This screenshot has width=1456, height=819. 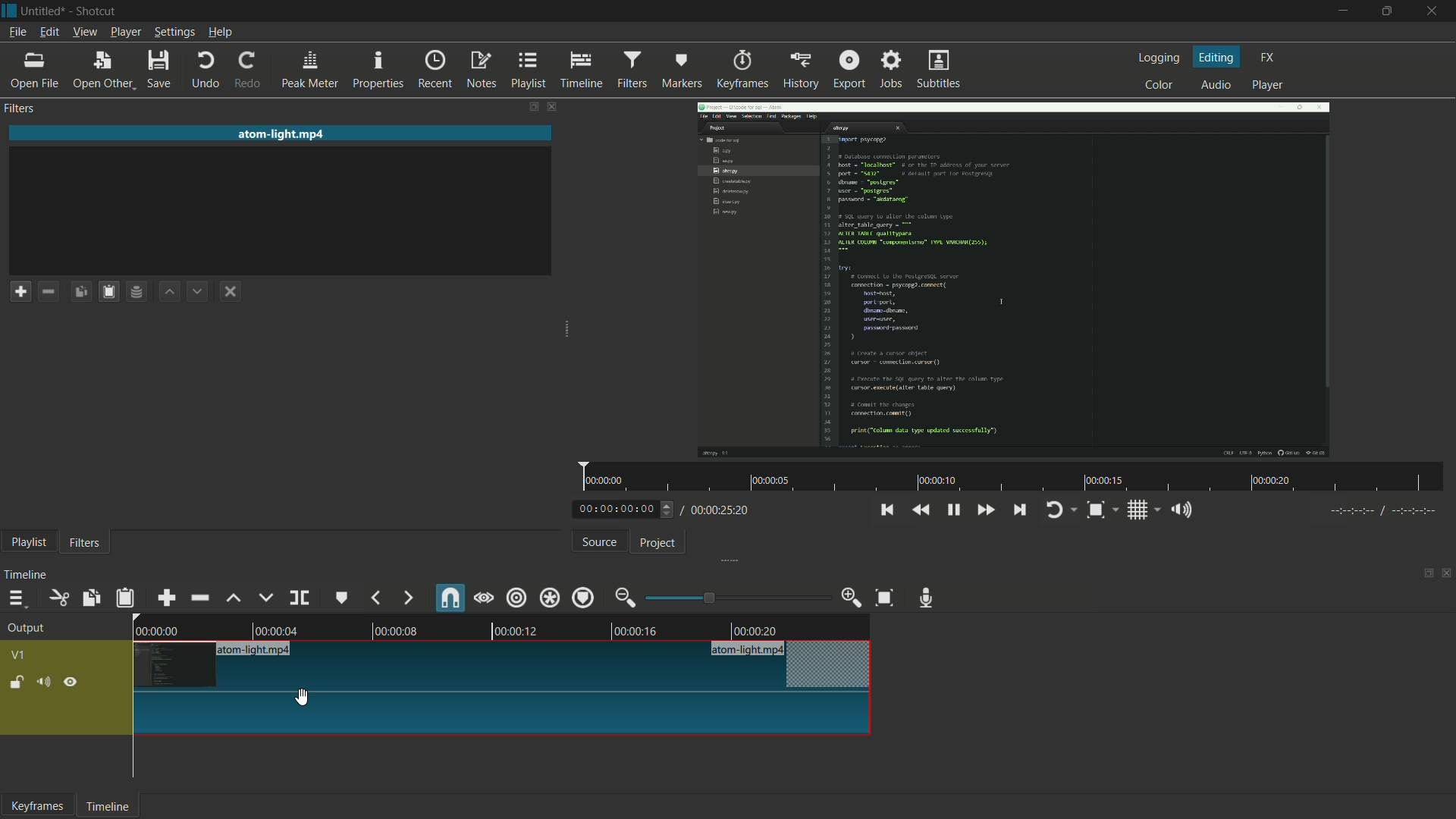 What do you see at coordinates (1159, 59) in the screenshot?
I see `logging` at bounding box center [1159, 59].